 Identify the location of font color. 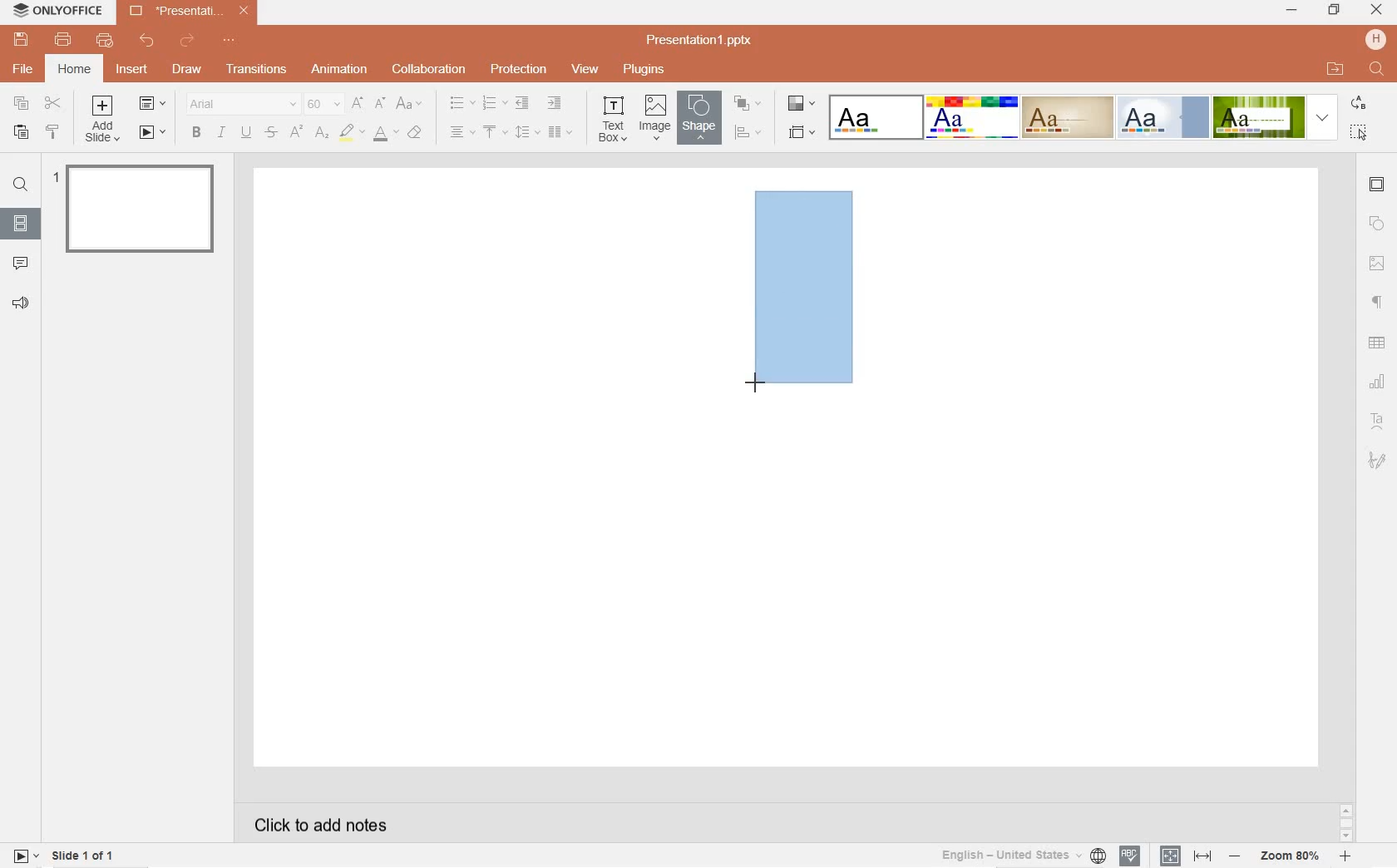
(386, 136).